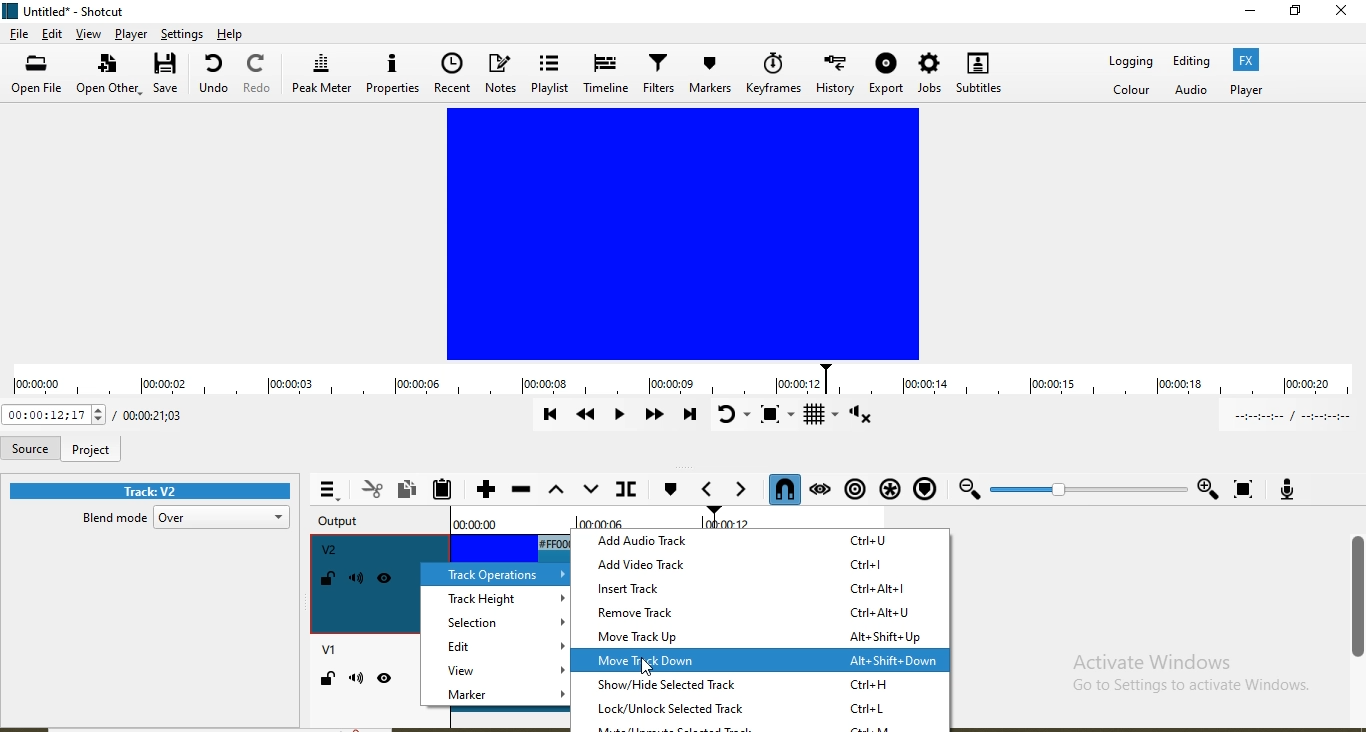 The height and width of the screenshot is (732, 1366). I want to click on V2, so click(330, 550).